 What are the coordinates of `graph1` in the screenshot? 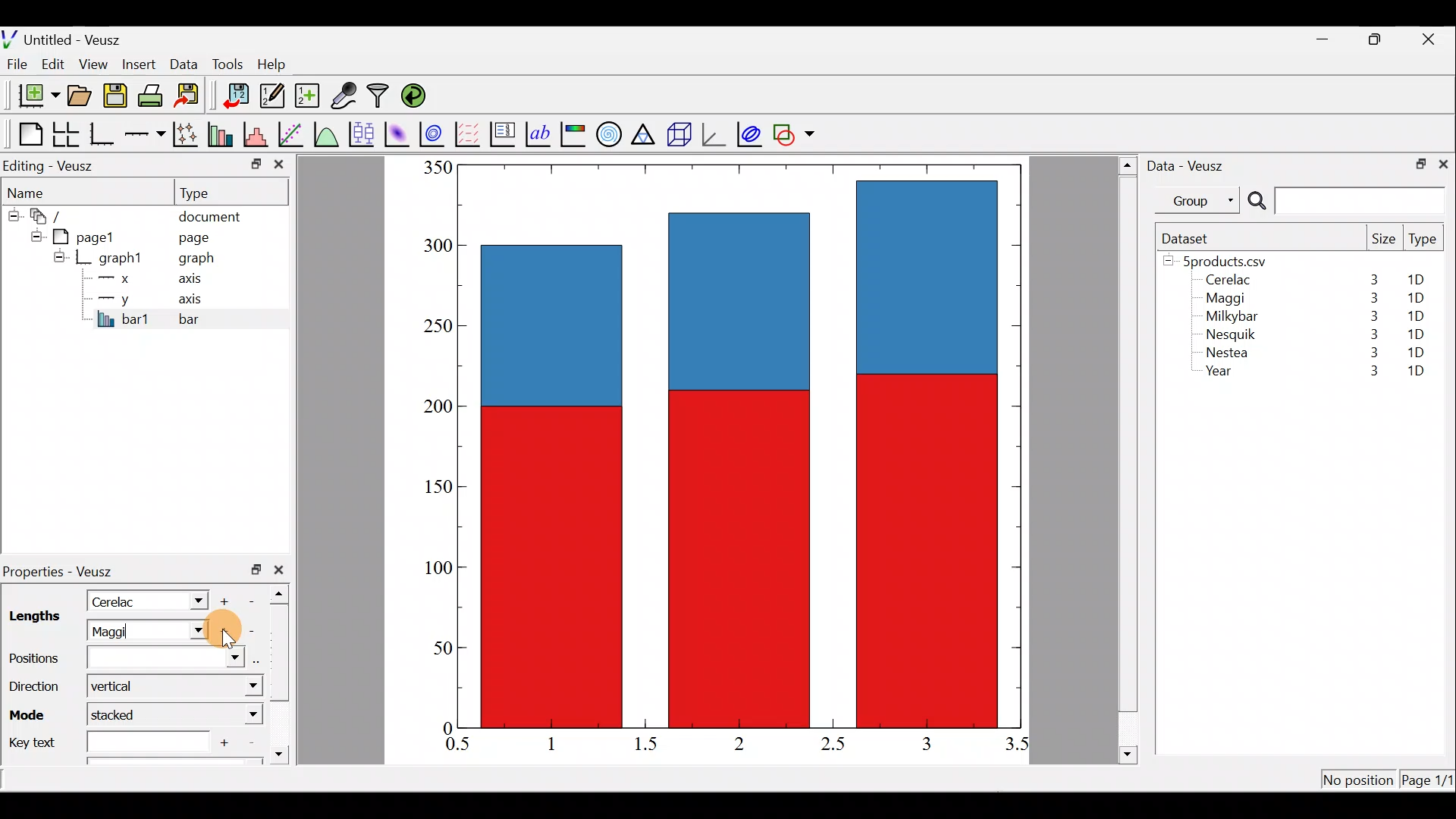 It's located at (121, 259).